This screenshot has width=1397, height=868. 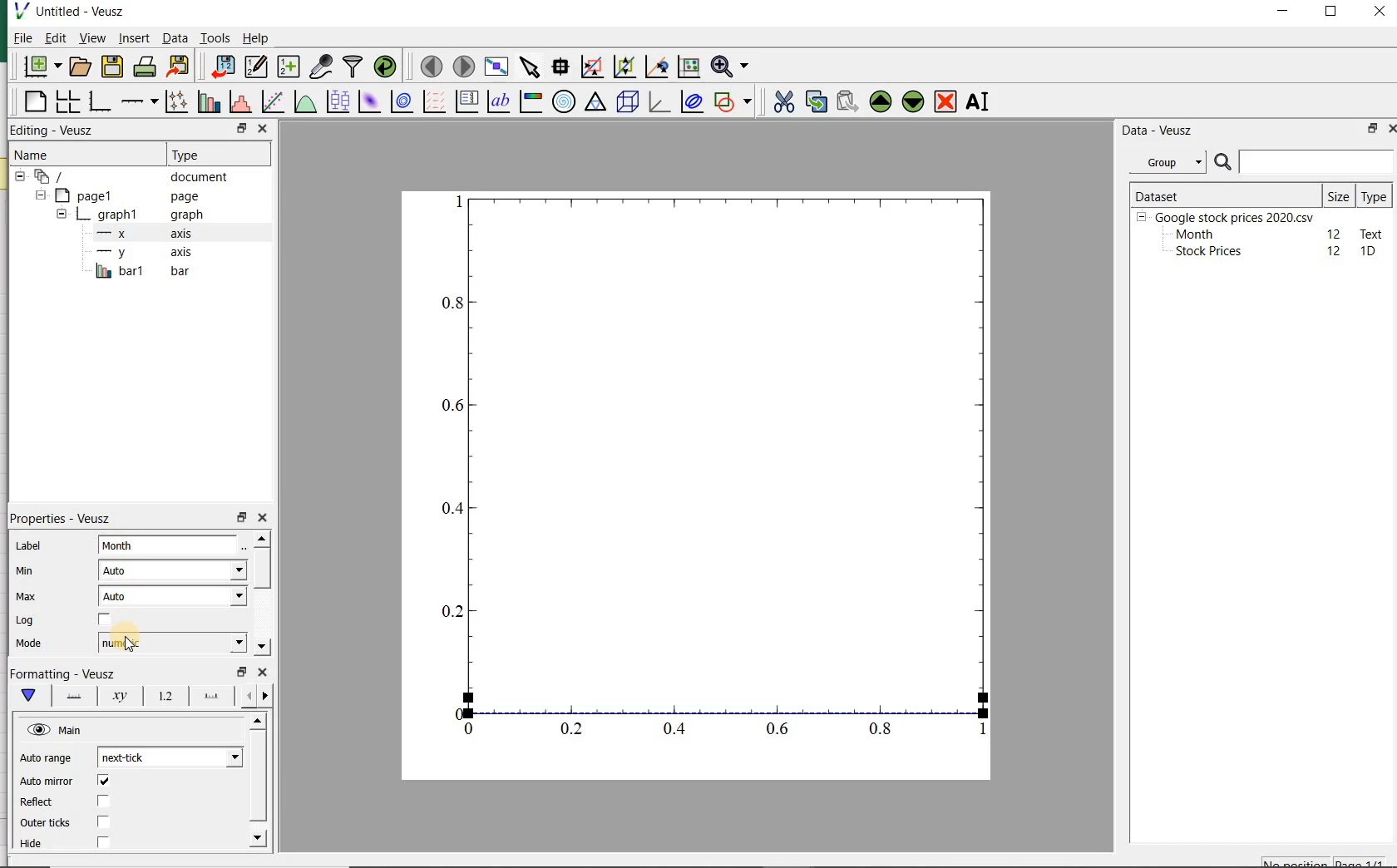 I want to click on Google stock prices 2020.csv, so click(x=1228, y=216).